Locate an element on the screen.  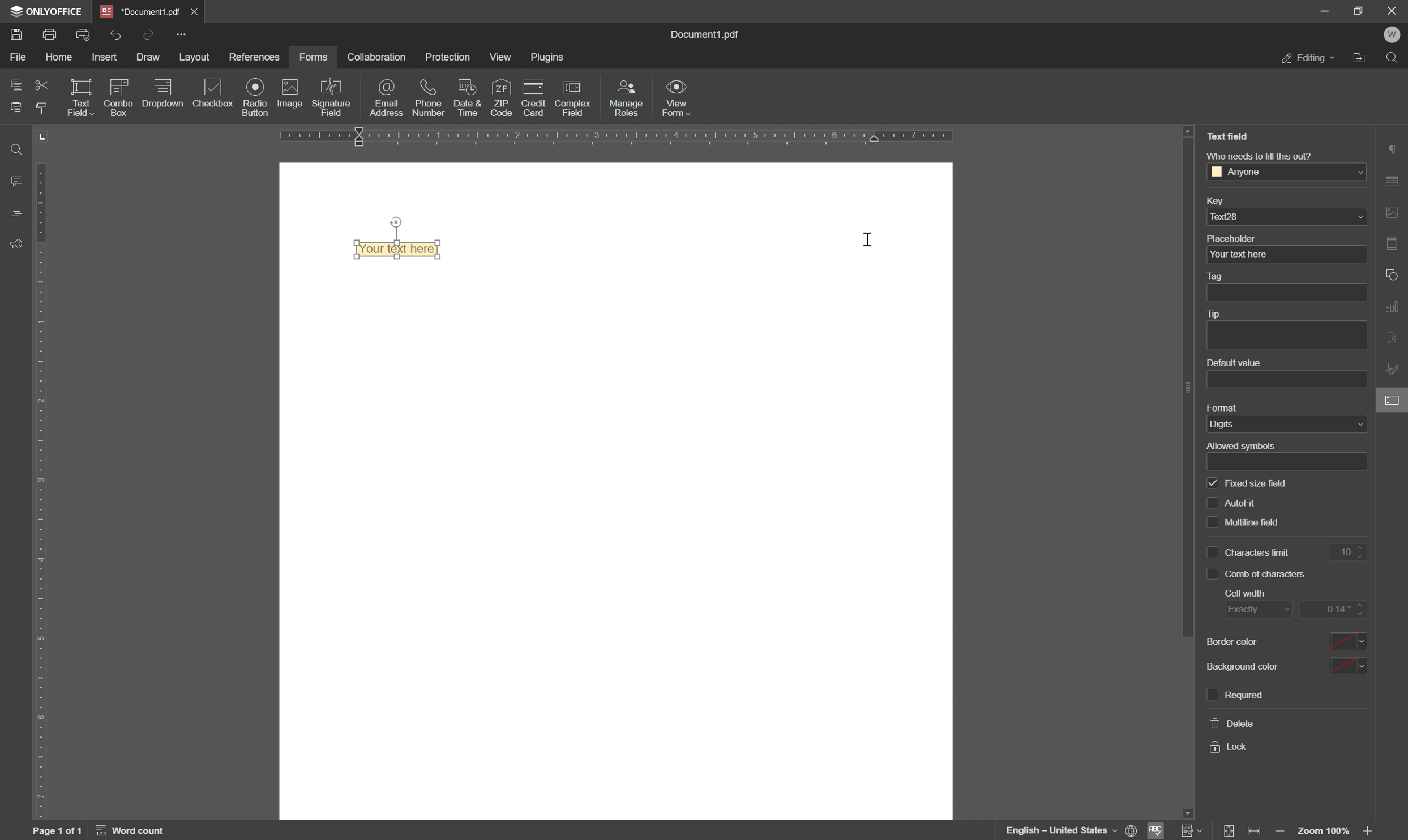
date and time is located at coordinates (470, 99).